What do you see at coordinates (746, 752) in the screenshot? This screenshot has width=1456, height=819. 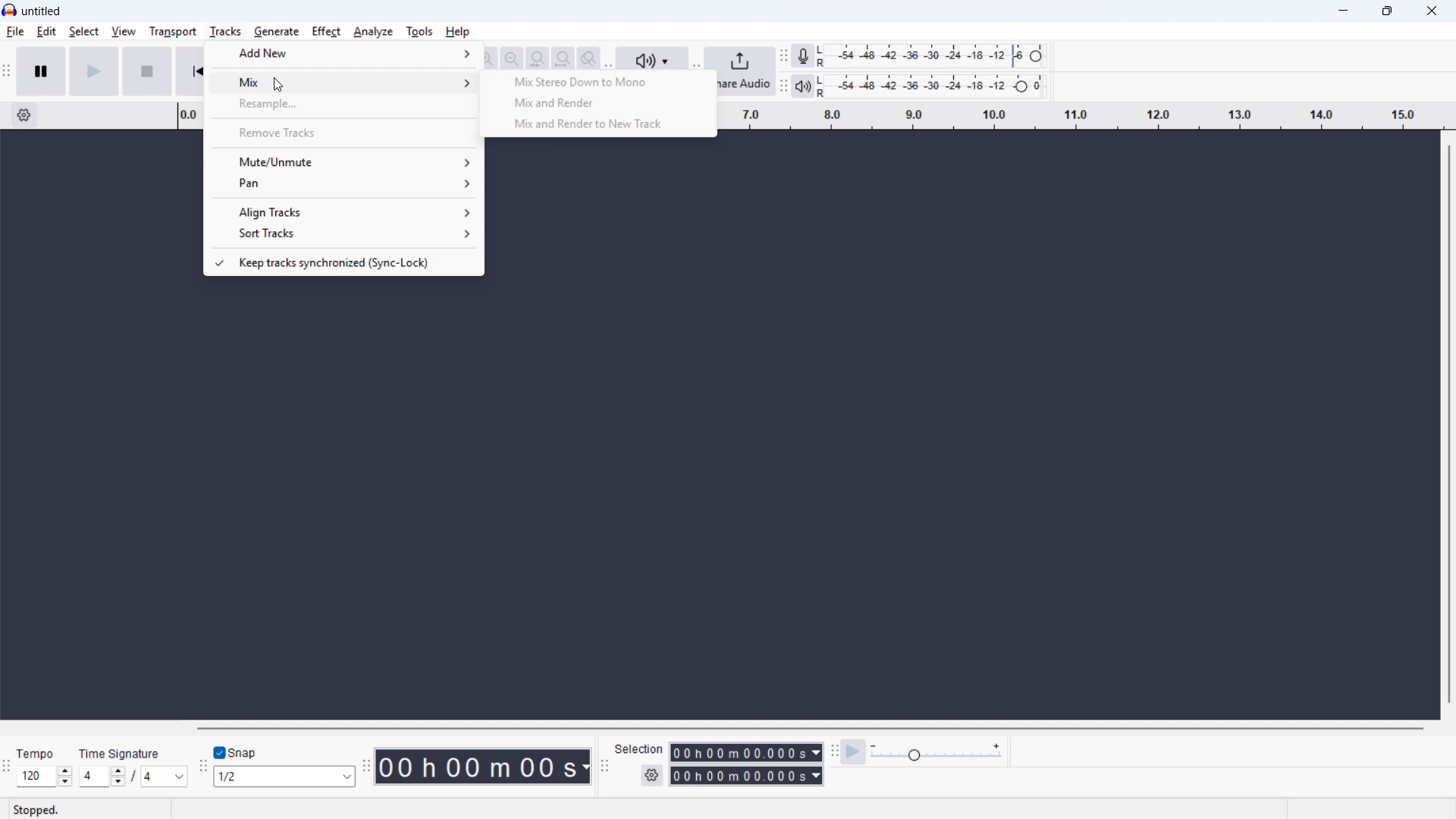 I see `Selection start time ` at bounding box center [746, 752].